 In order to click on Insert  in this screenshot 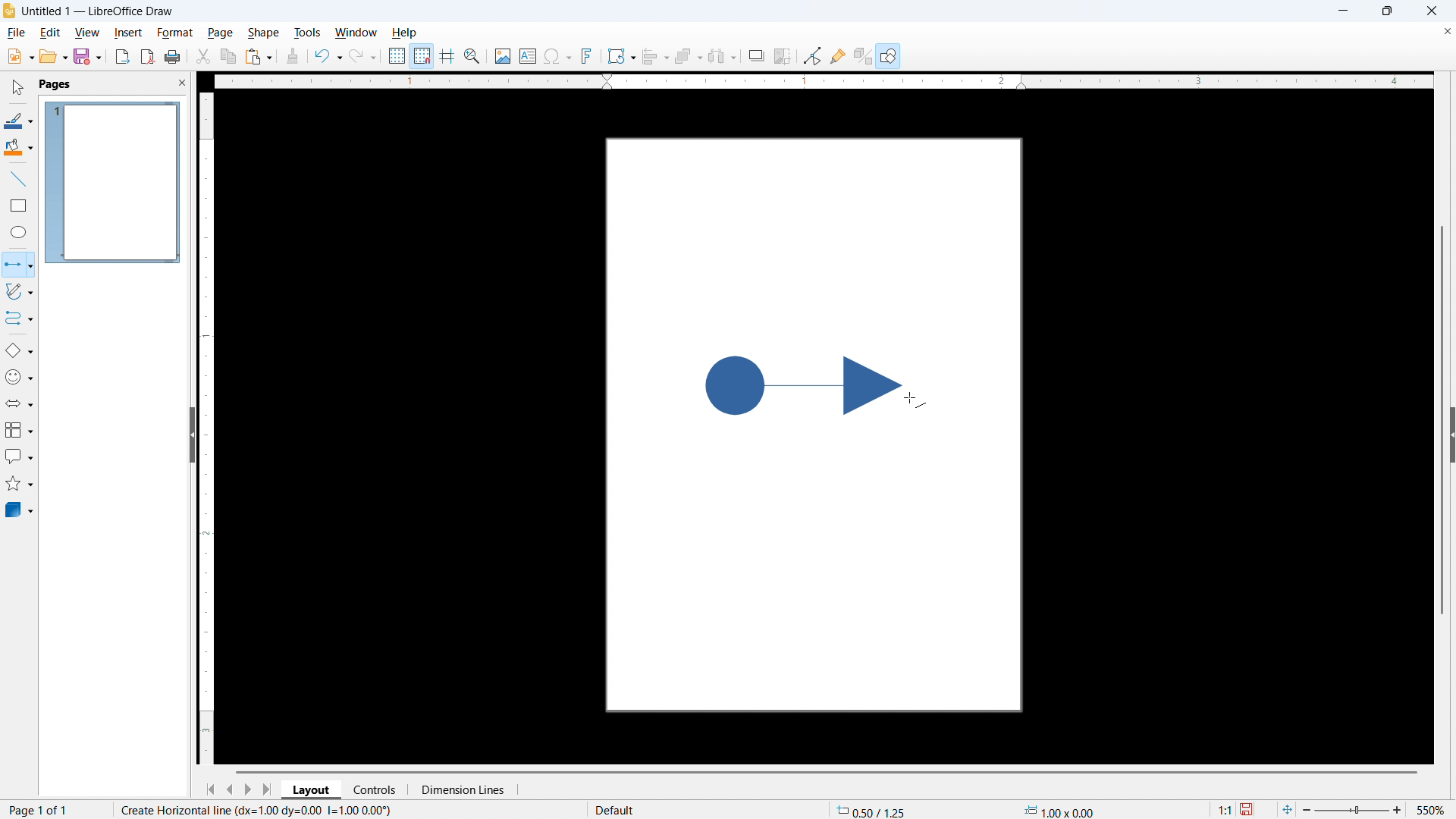, I will do `click(127, 32)`.